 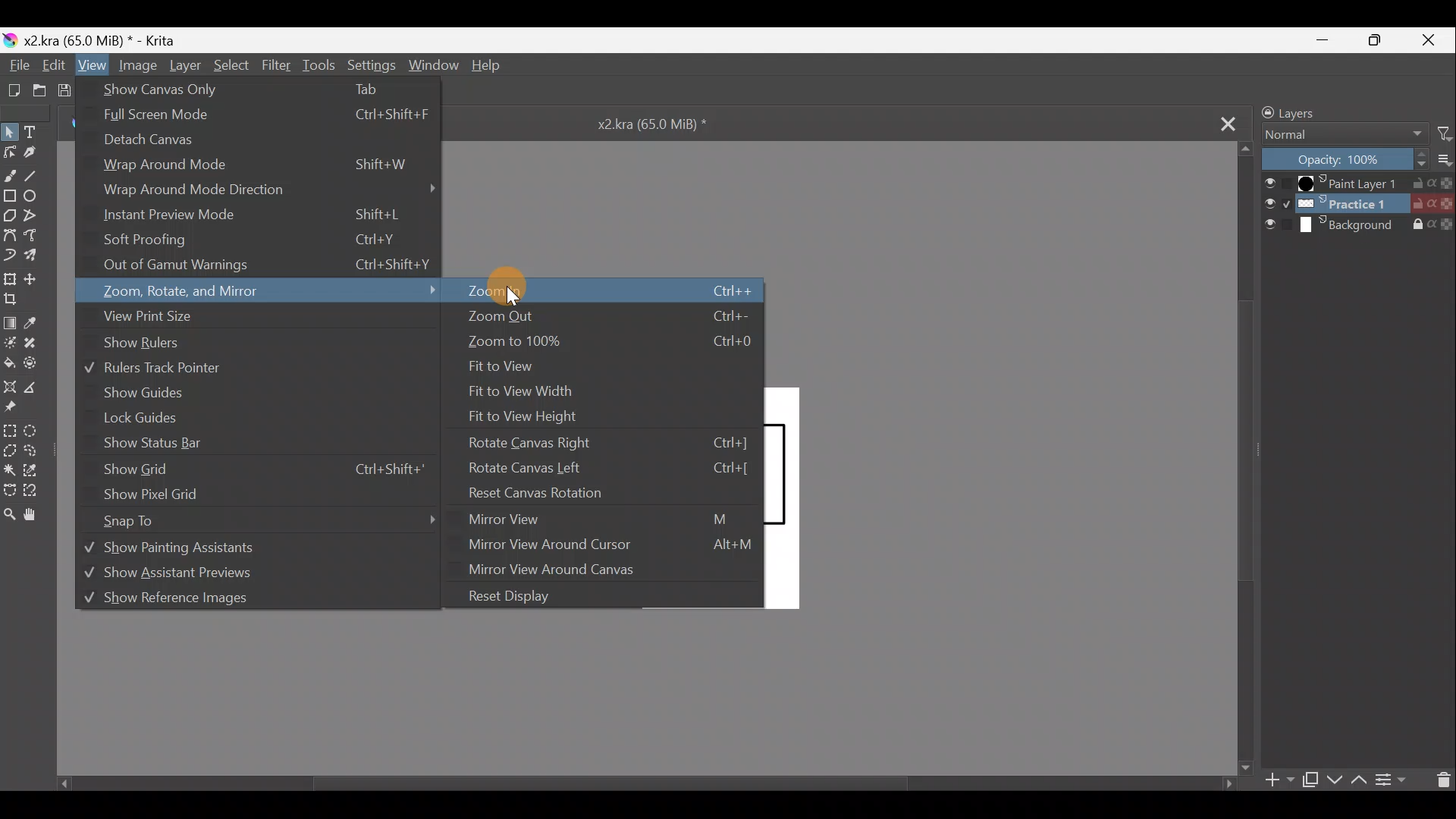 What do you see at coordinates (39, 450) in the screenshot?
I see `Freehand selection tool` at bounding box center [39, 450].